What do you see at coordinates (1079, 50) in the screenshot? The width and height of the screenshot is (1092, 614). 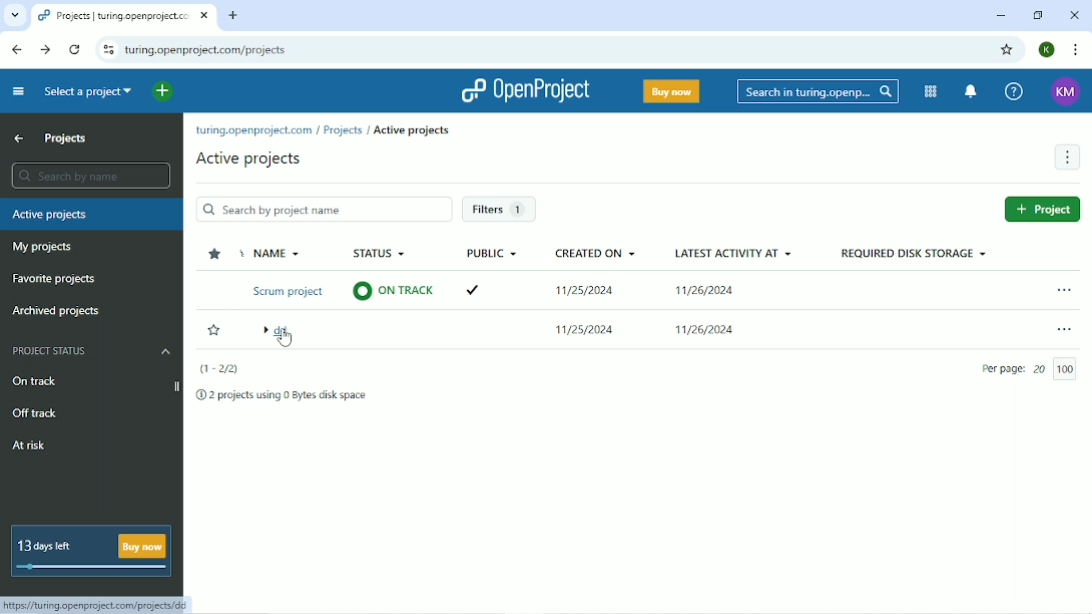 I see `Customize and control google chrome` at bounding box center [1079, 50].